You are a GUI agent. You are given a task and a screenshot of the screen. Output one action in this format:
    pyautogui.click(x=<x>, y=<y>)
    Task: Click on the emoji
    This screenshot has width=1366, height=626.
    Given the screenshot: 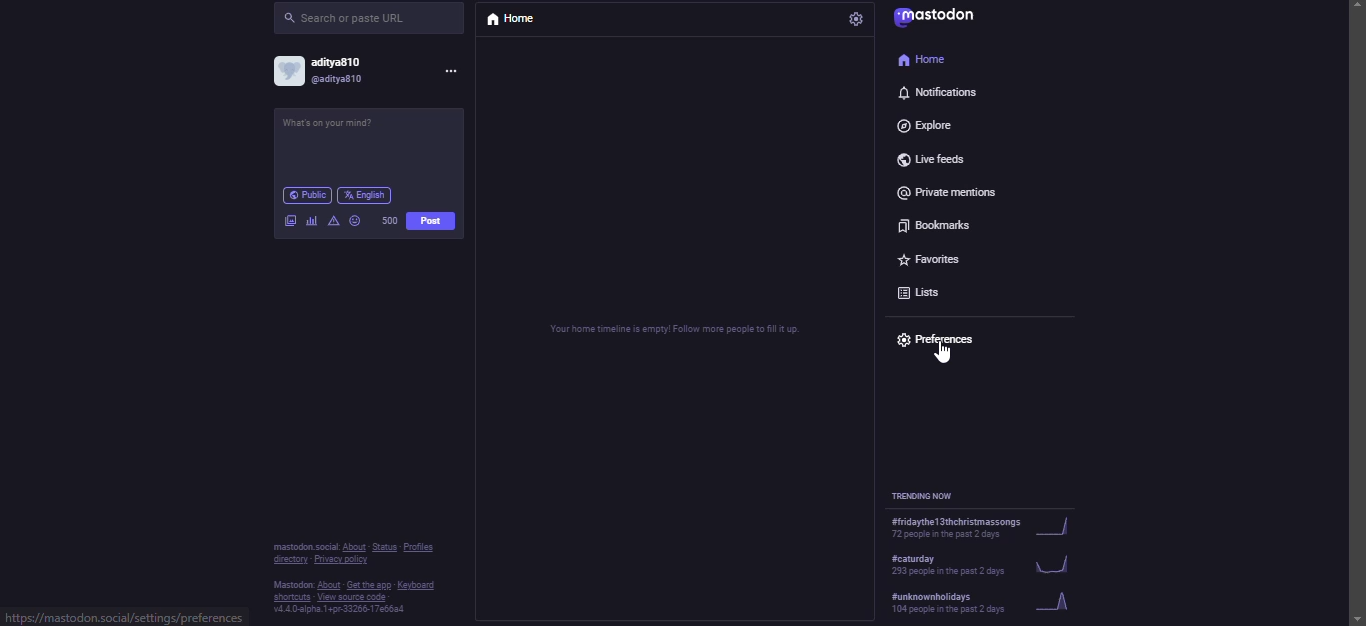 What is the action you would take?
    pyautogui.click(x=354, y=221)
    